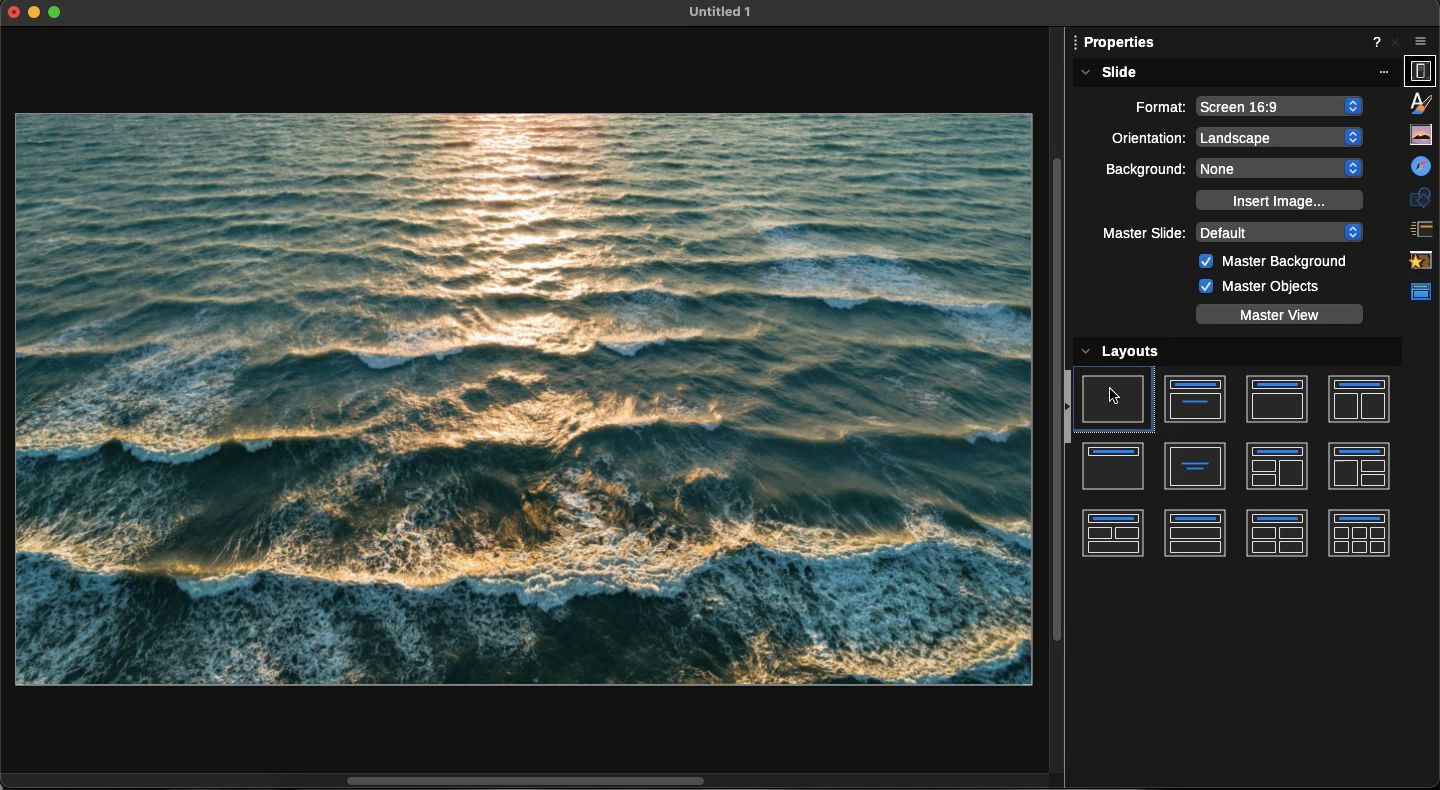 The height and width of the screenshot is (790, 1440). Describe the element at coordinates (1422, 228) in the screenshot. I see `Slide transition` at that location.